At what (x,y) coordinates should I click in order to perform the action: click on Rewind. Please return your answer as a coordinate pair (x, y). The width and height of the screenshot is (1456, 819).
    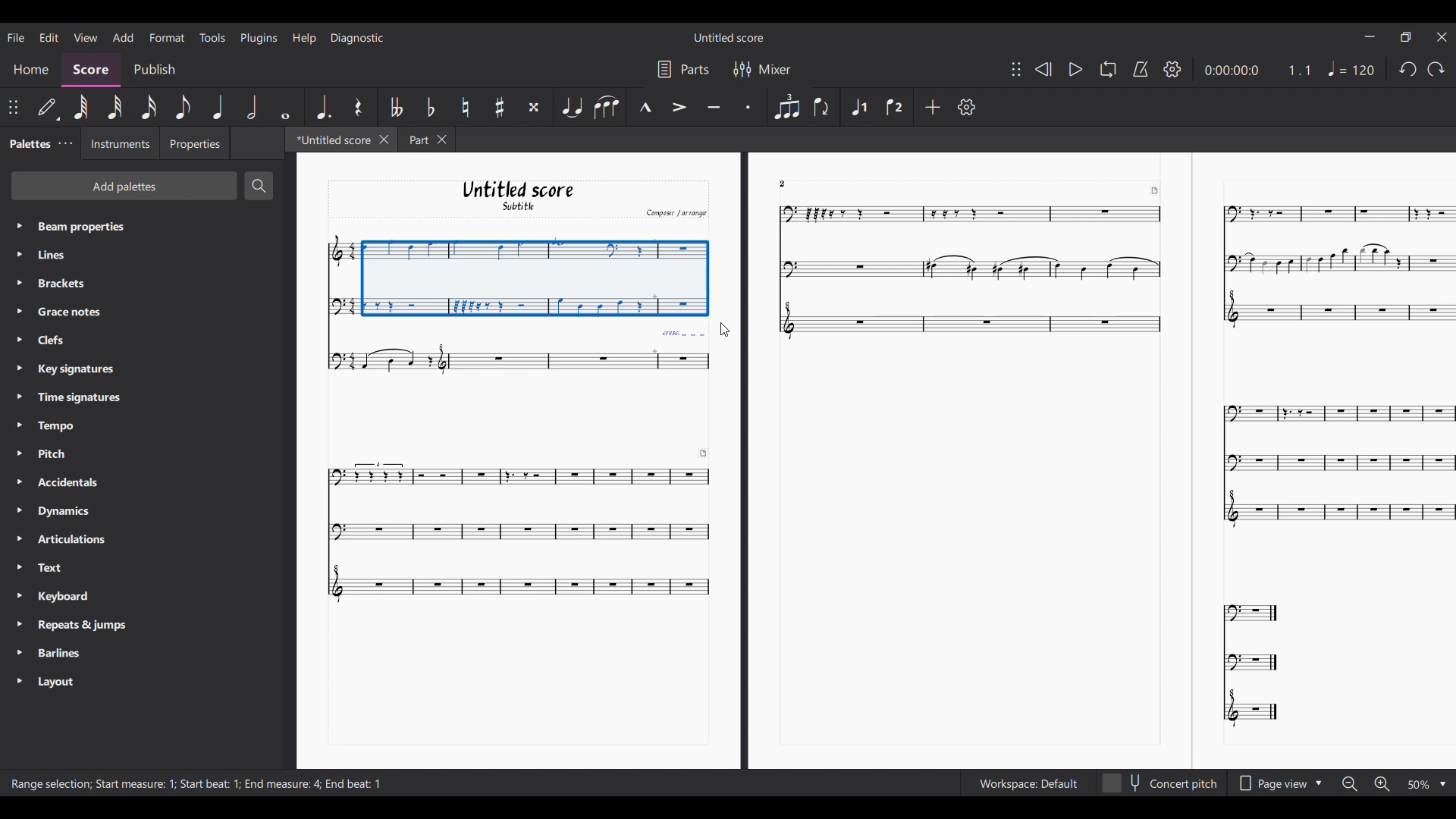
    Looking at the image, I should click on (1043, 69).